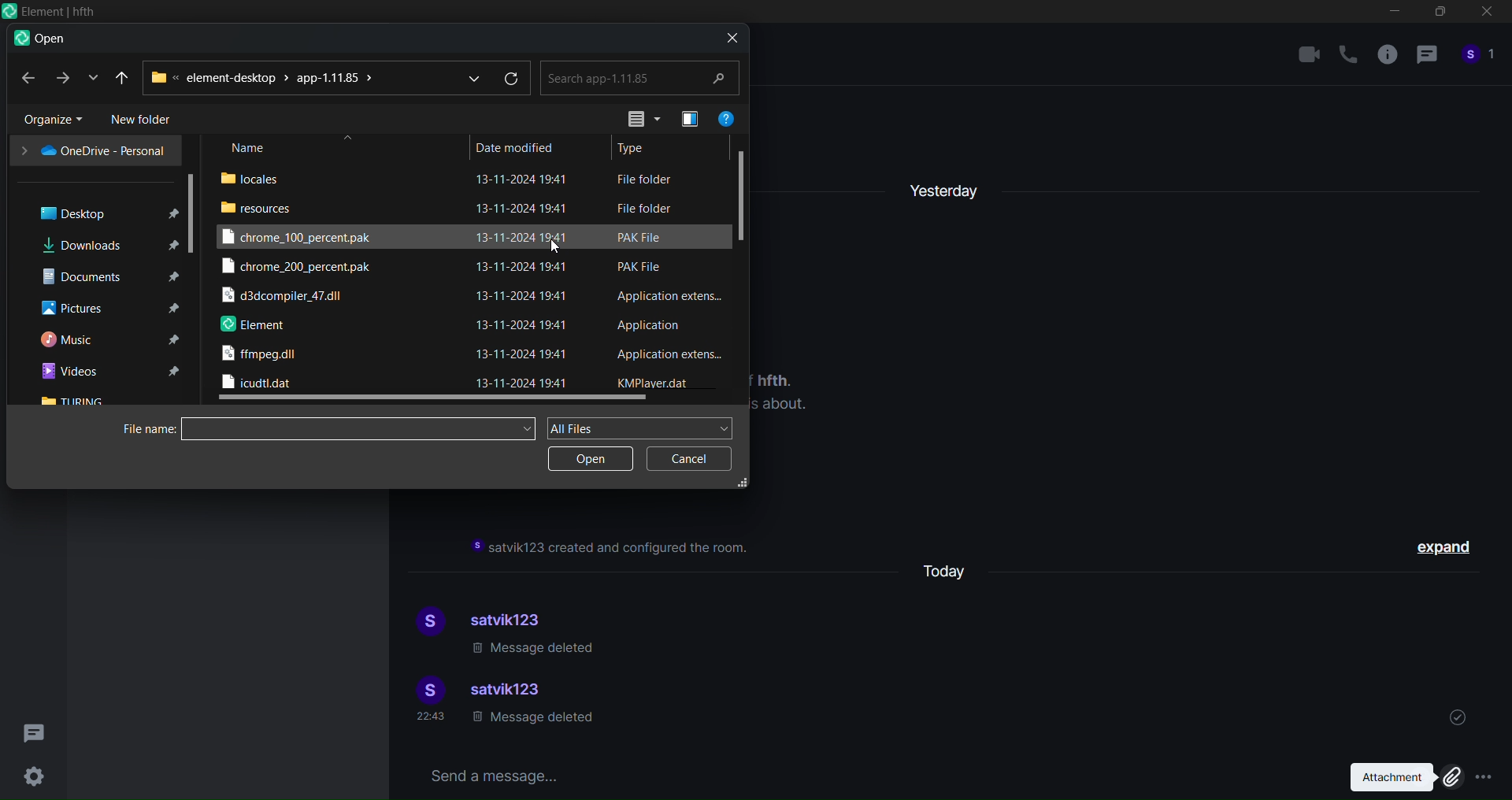 The width and height of the screenshot is (1512, 800). Describe the element at coordinates (105, 244) in the screenshot. I see `downloads` at that location.